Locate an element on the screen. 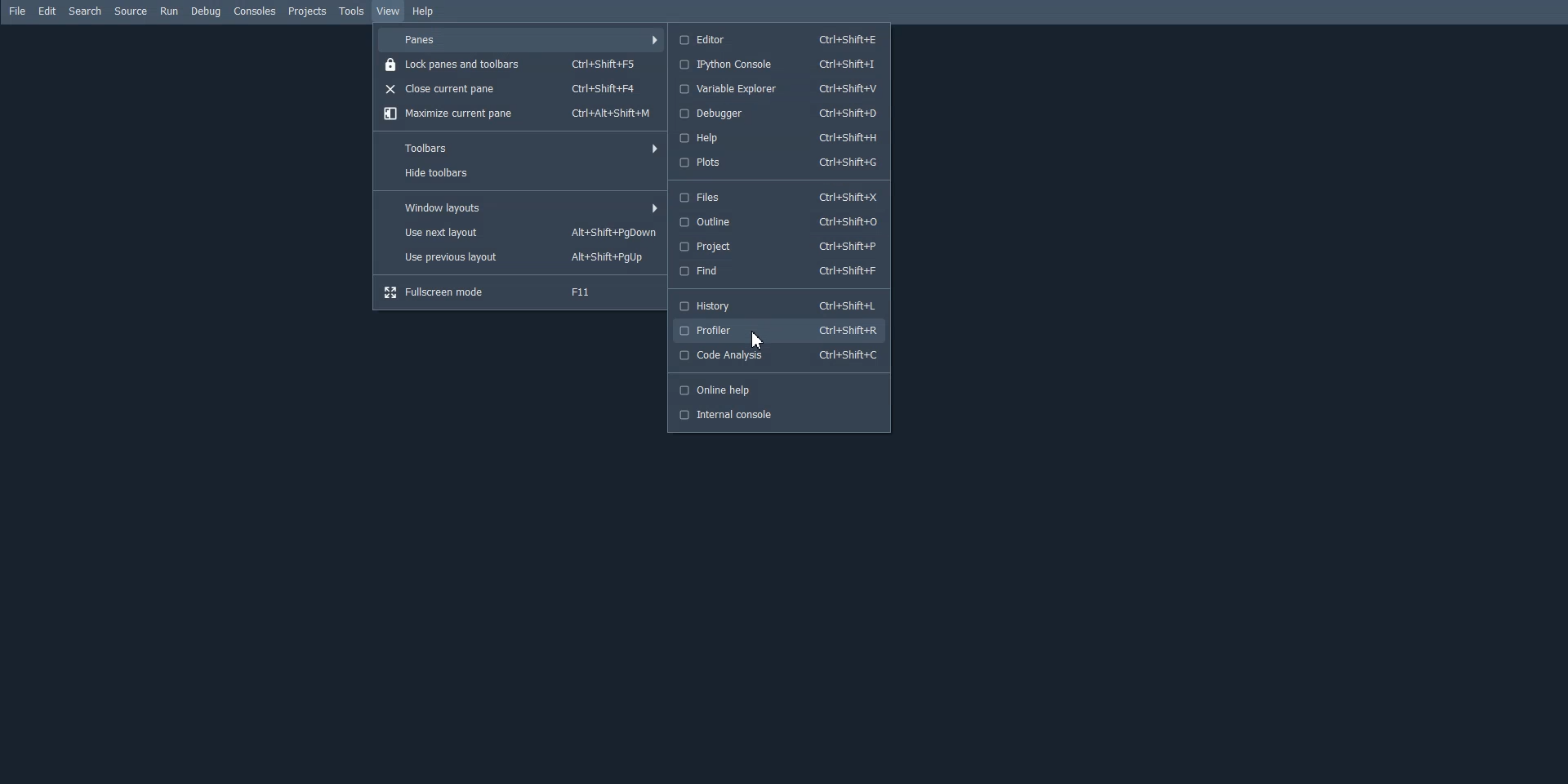 Image resolution: width=1568 pixels, height=784 pixels. window layouts is located at coordinates (523, 207).